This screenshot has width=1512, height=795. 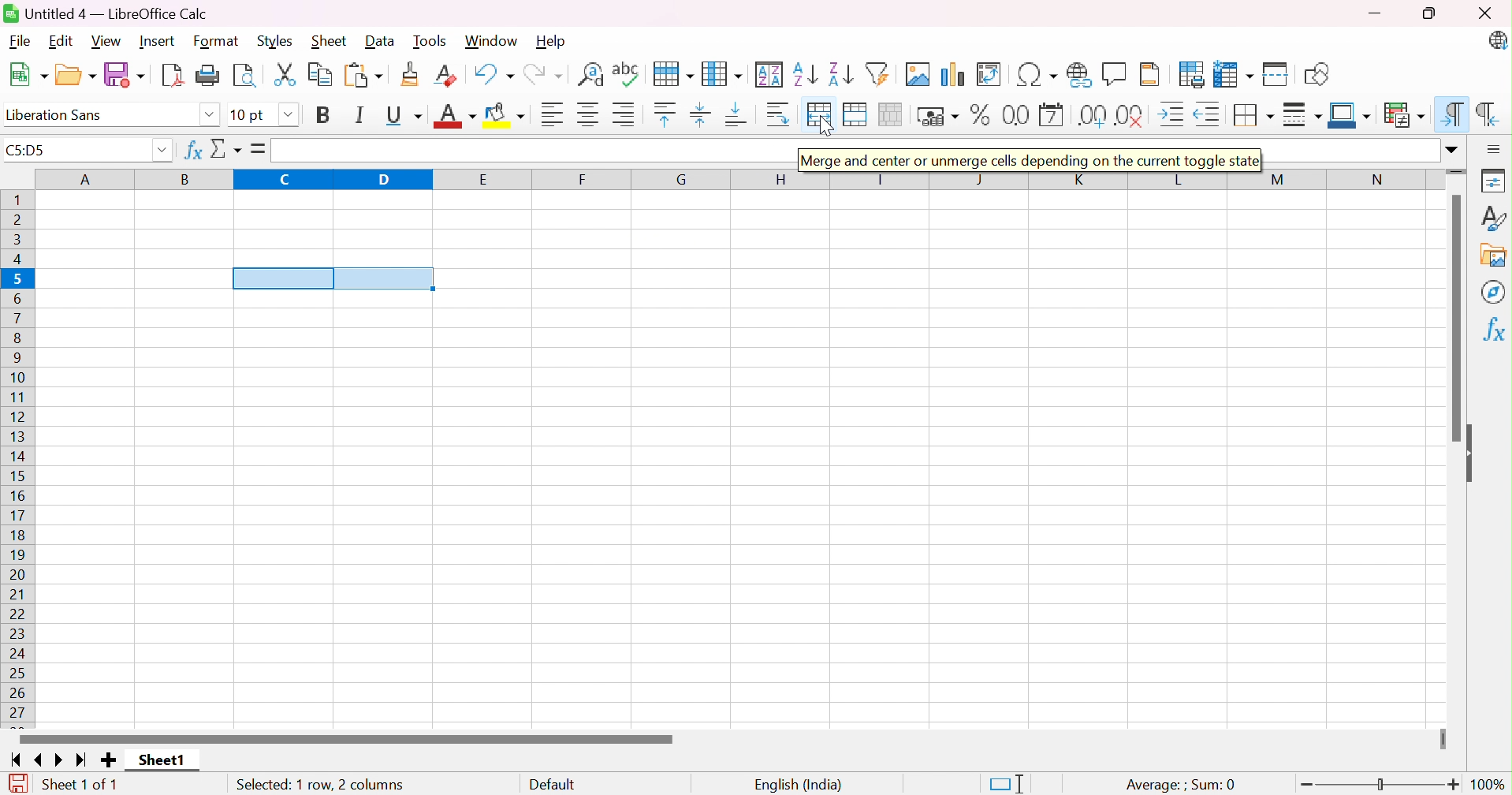 What do you see at coordinates (1077, 74) in the screenshot?
I see `Insert Hyperlink` at bounding box center [1077, 74].